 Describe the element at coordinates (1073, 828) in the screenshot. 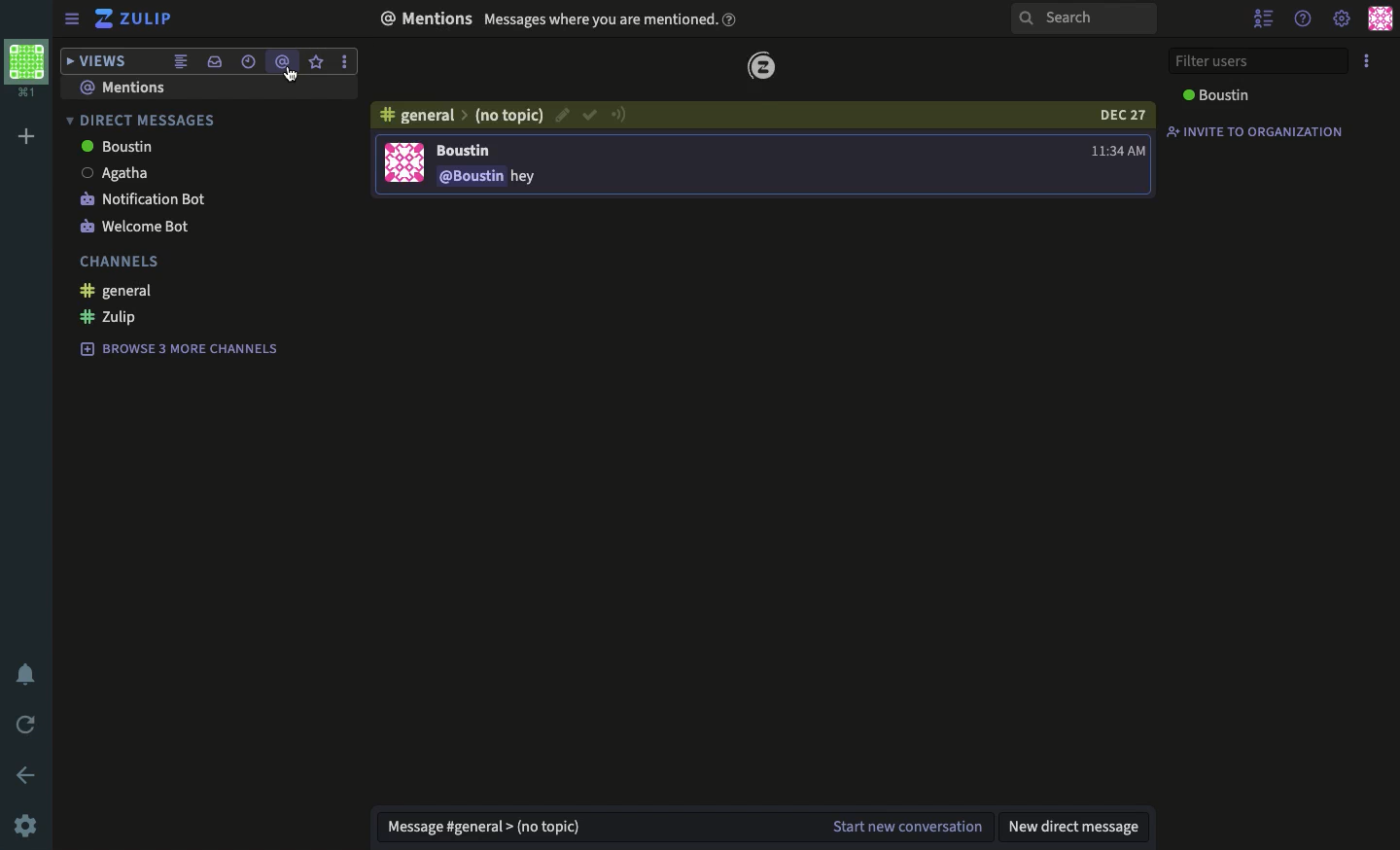

I see `new dm` at that location.